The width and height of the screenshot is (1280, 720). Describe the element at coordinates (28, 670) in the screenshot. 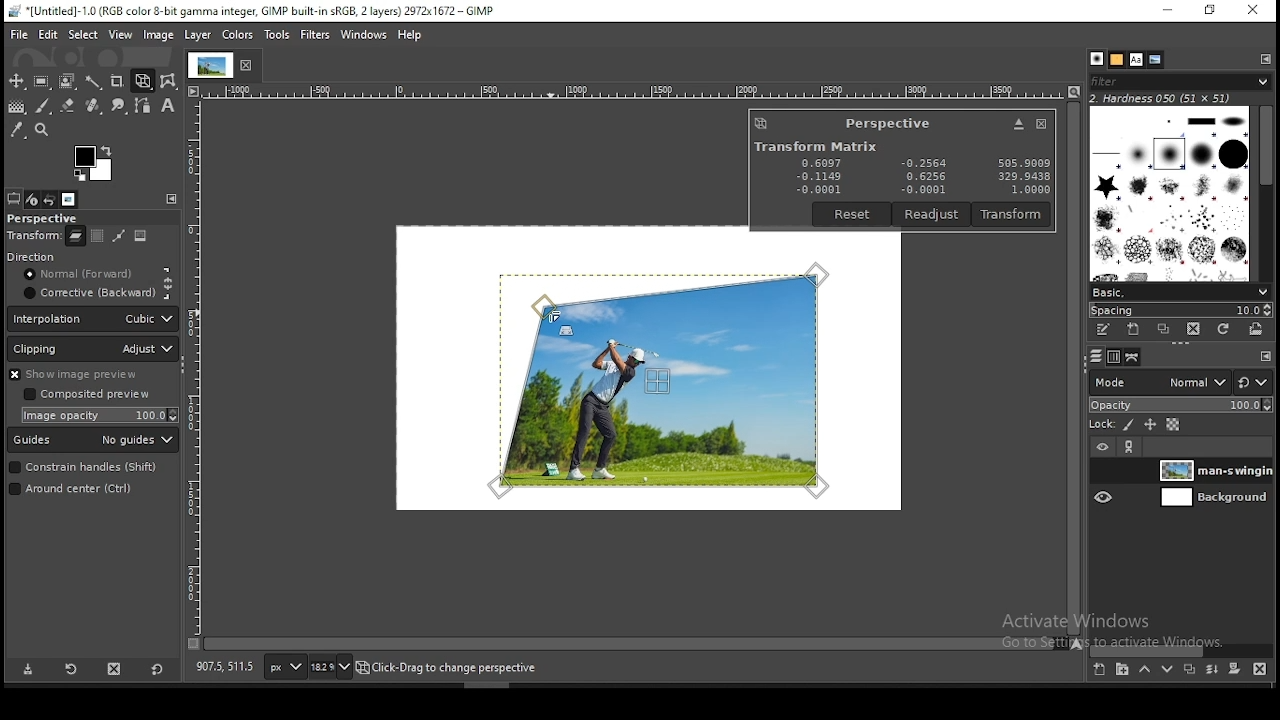

I see `save tool preset` at that location.